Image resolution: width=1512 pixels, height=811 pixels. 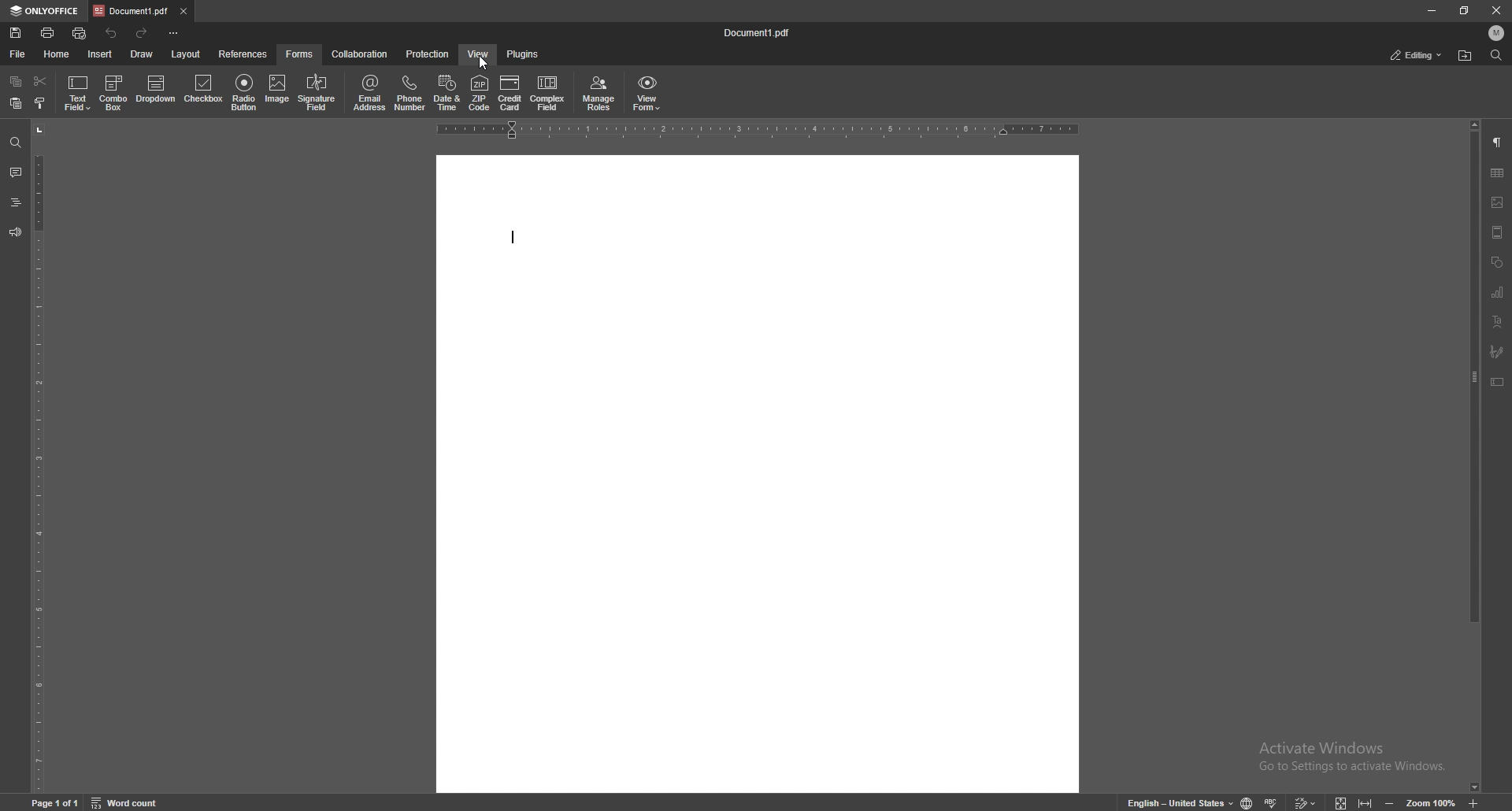 What do you see at coordinates (1307, 802) in the screenshot?
I see `track changes` at bounding box center [1307, 802].